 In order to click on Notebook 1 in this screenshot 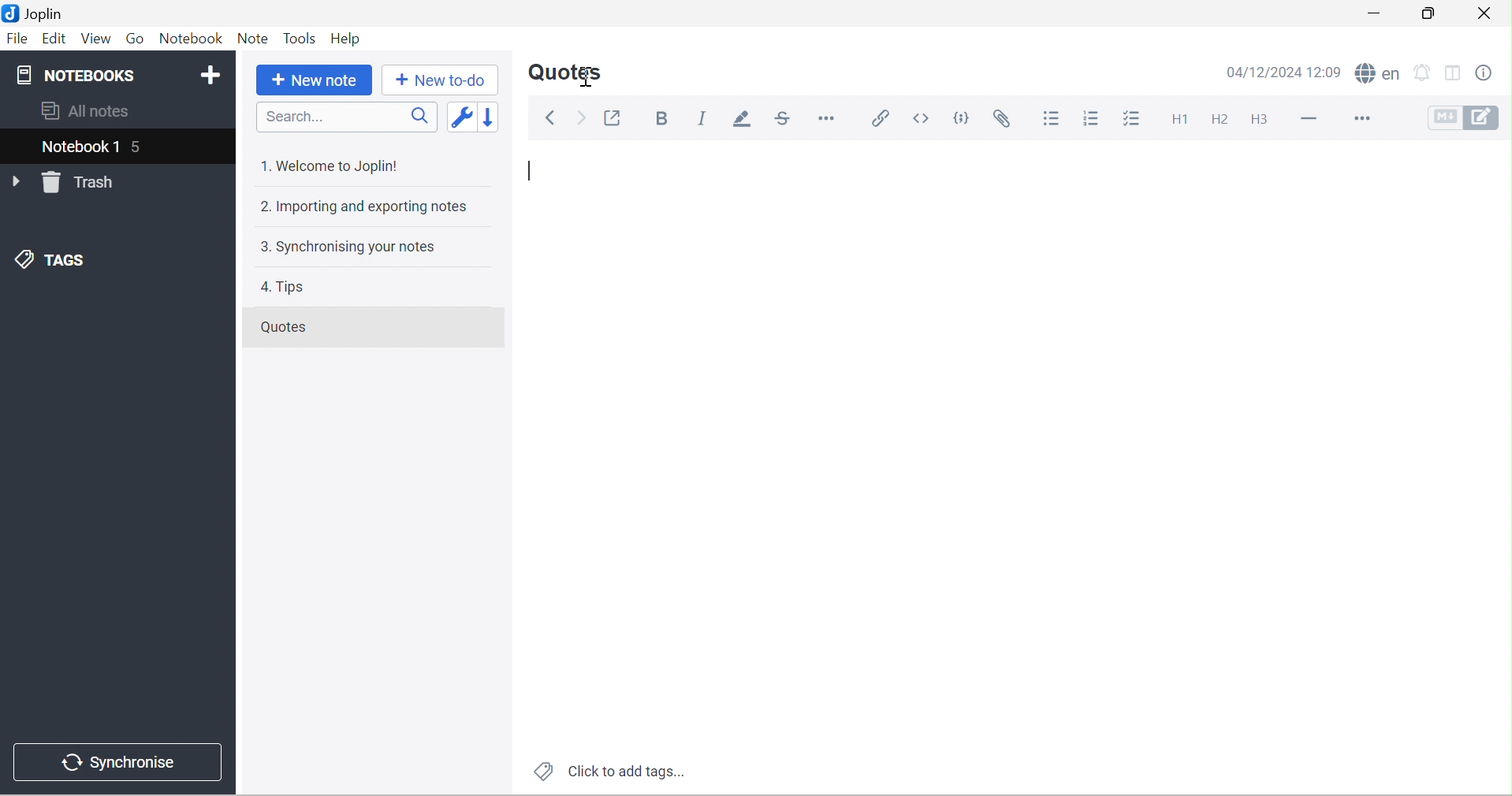, I will do `click(77, 146)`.